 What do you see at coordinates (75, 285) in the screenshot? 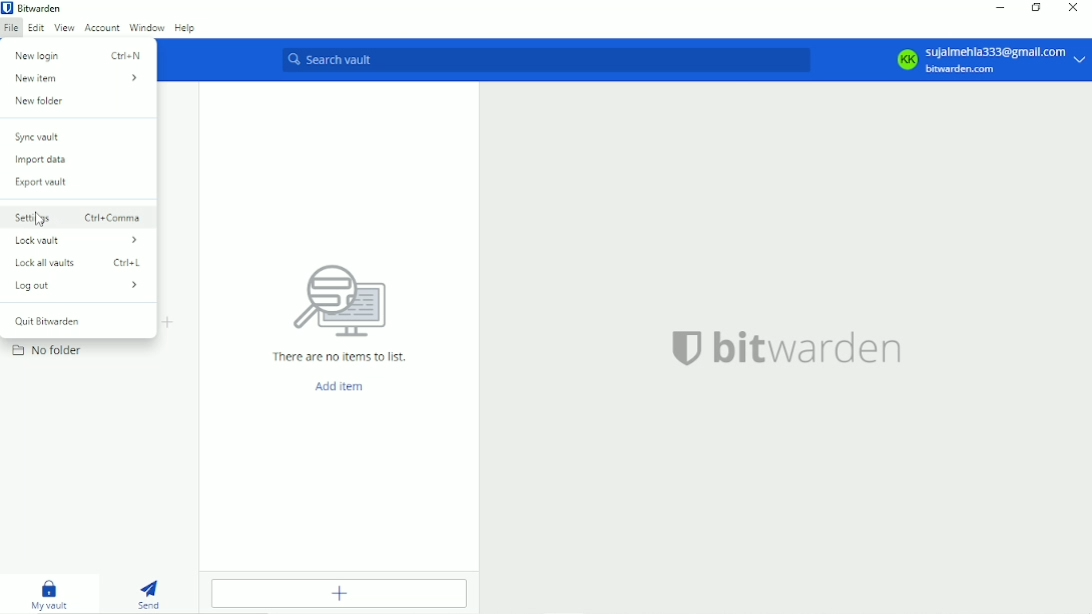
I see `Log out` at bounding box center [75, 285].